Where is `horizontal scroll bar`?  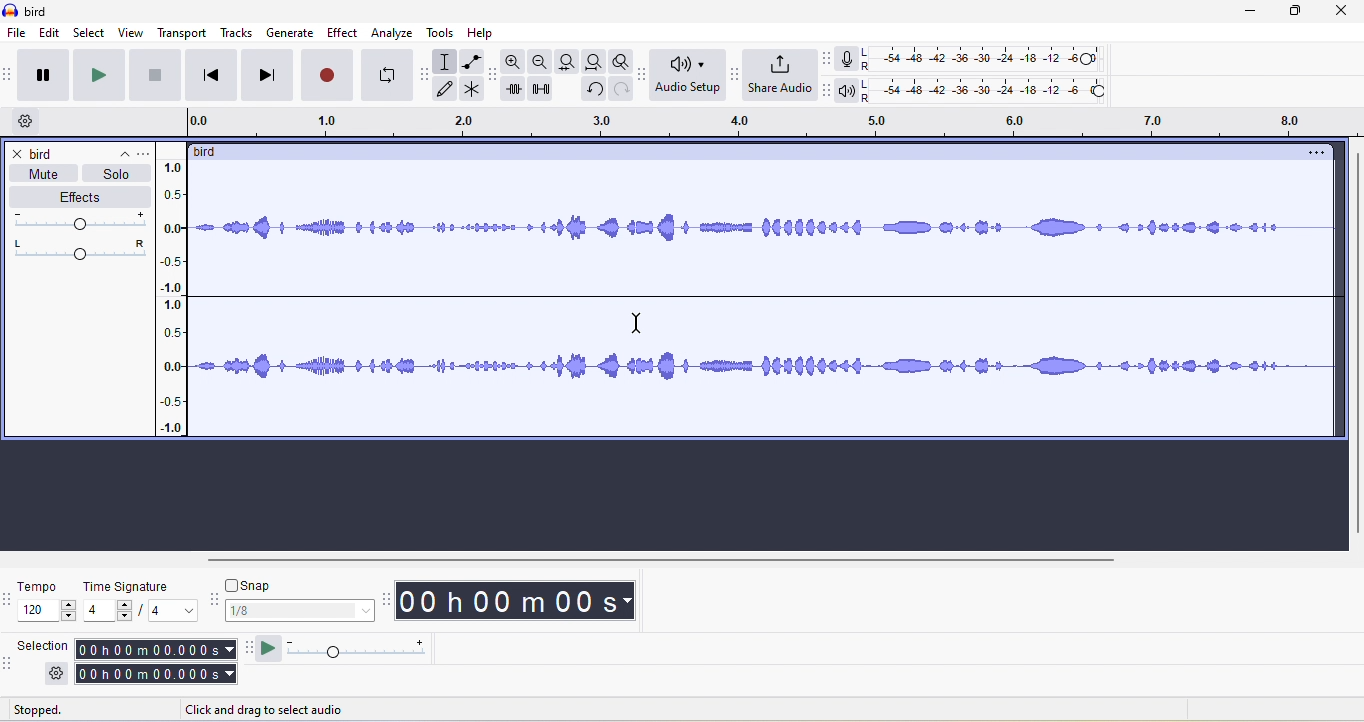
horizontal scroll bar is located at coordinates (662, 561).